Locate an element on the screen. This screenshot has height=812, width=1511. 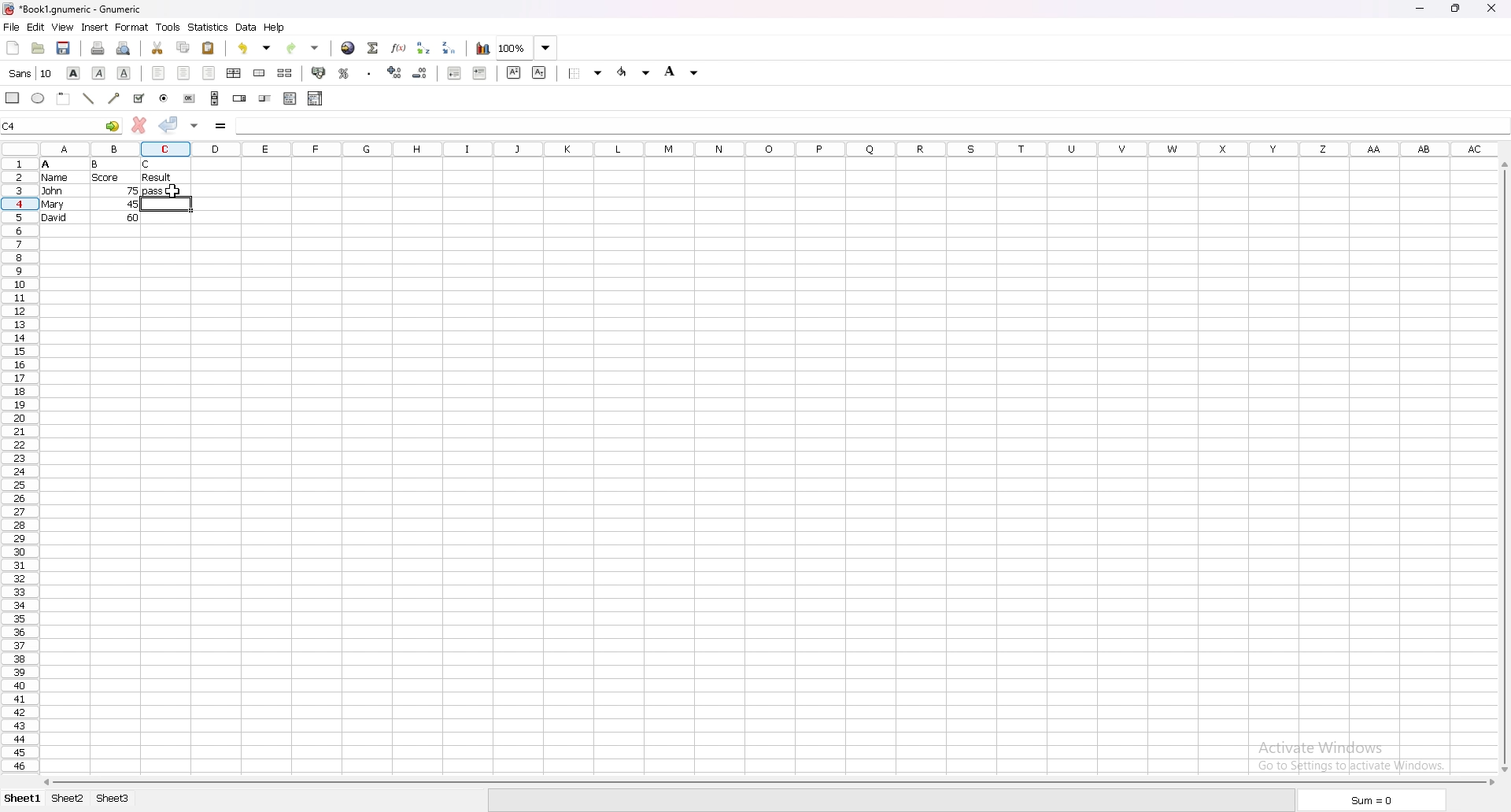
sort ascending is located at coordinates (423, 48).